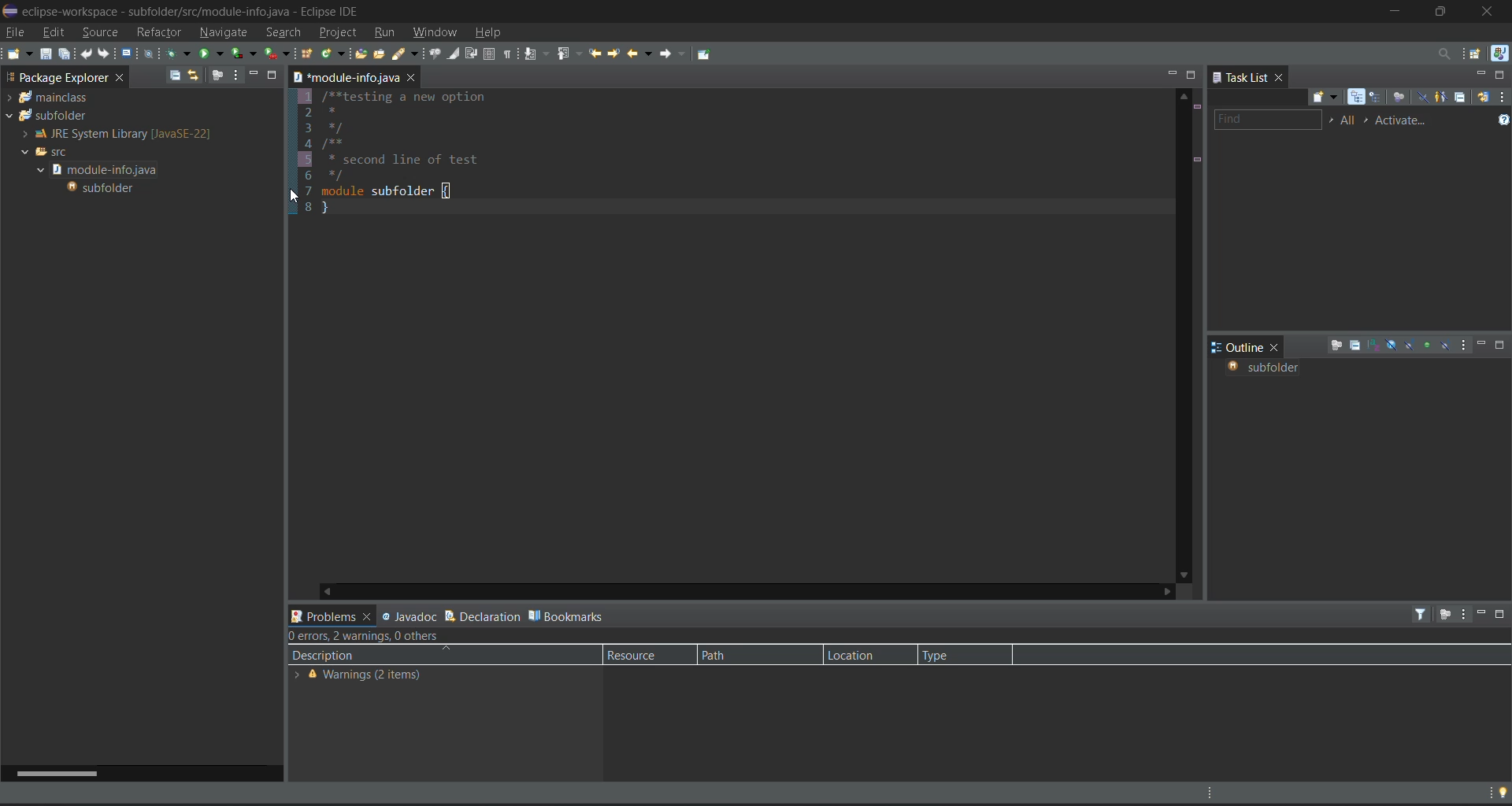 This screenshot has height=806, width=1512. Describe the element at coordinates (1336, 346) in the screenshot. I see `focus on active task` at that location.